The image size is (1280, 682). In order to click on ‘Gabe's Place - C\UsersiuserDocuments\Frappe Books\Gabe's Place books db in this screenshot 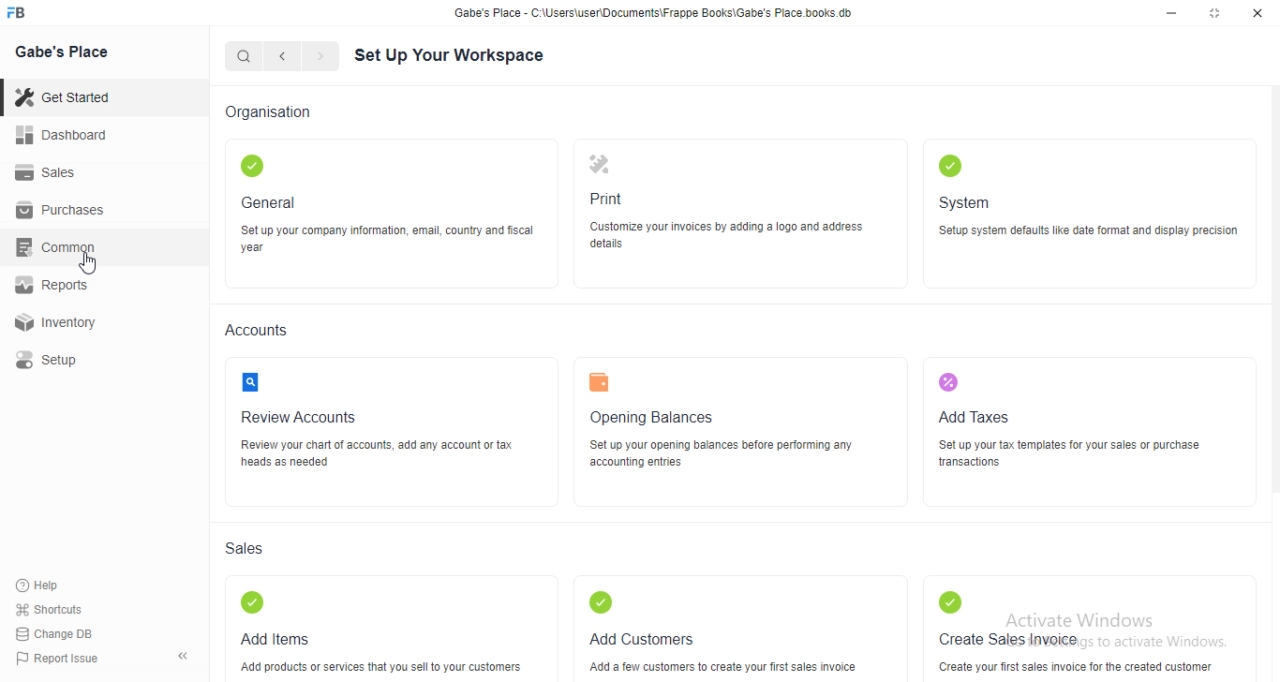, I will do `click(653, 12)`.